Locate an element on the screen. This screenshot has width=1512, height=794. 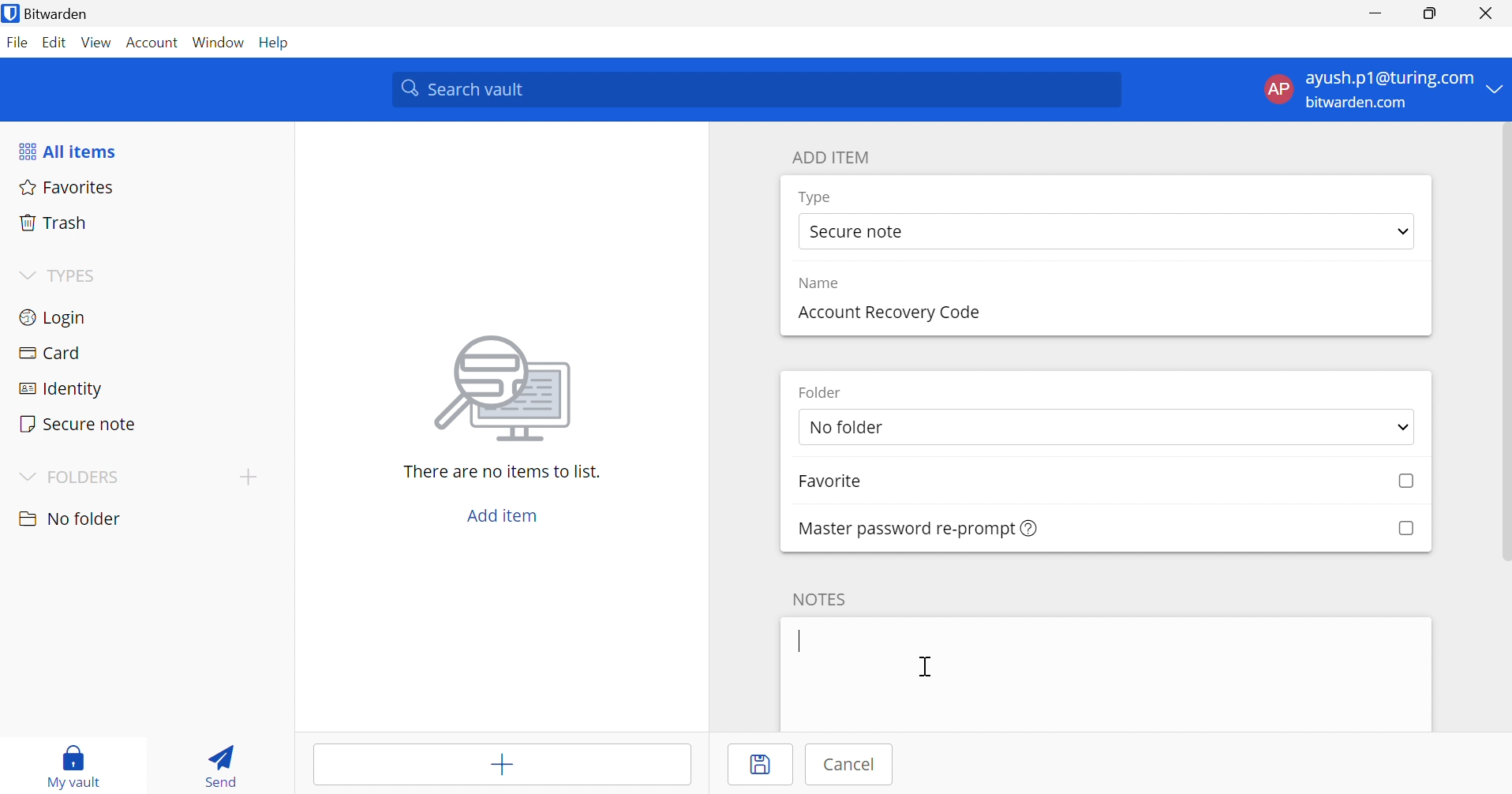
Search vault is located at coordinates (758, 90).